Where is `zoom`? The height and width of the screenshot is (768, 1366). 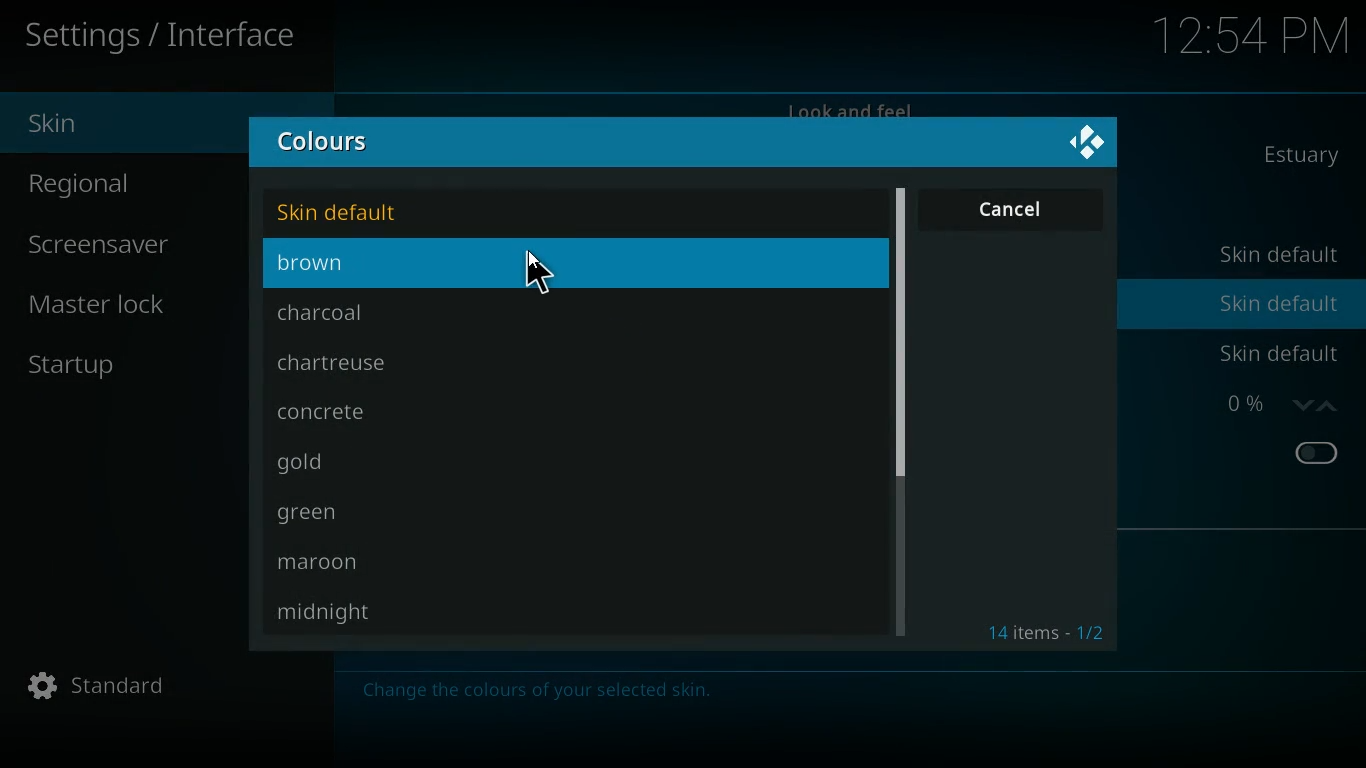 zoom is located at coordinates (1279, 407).